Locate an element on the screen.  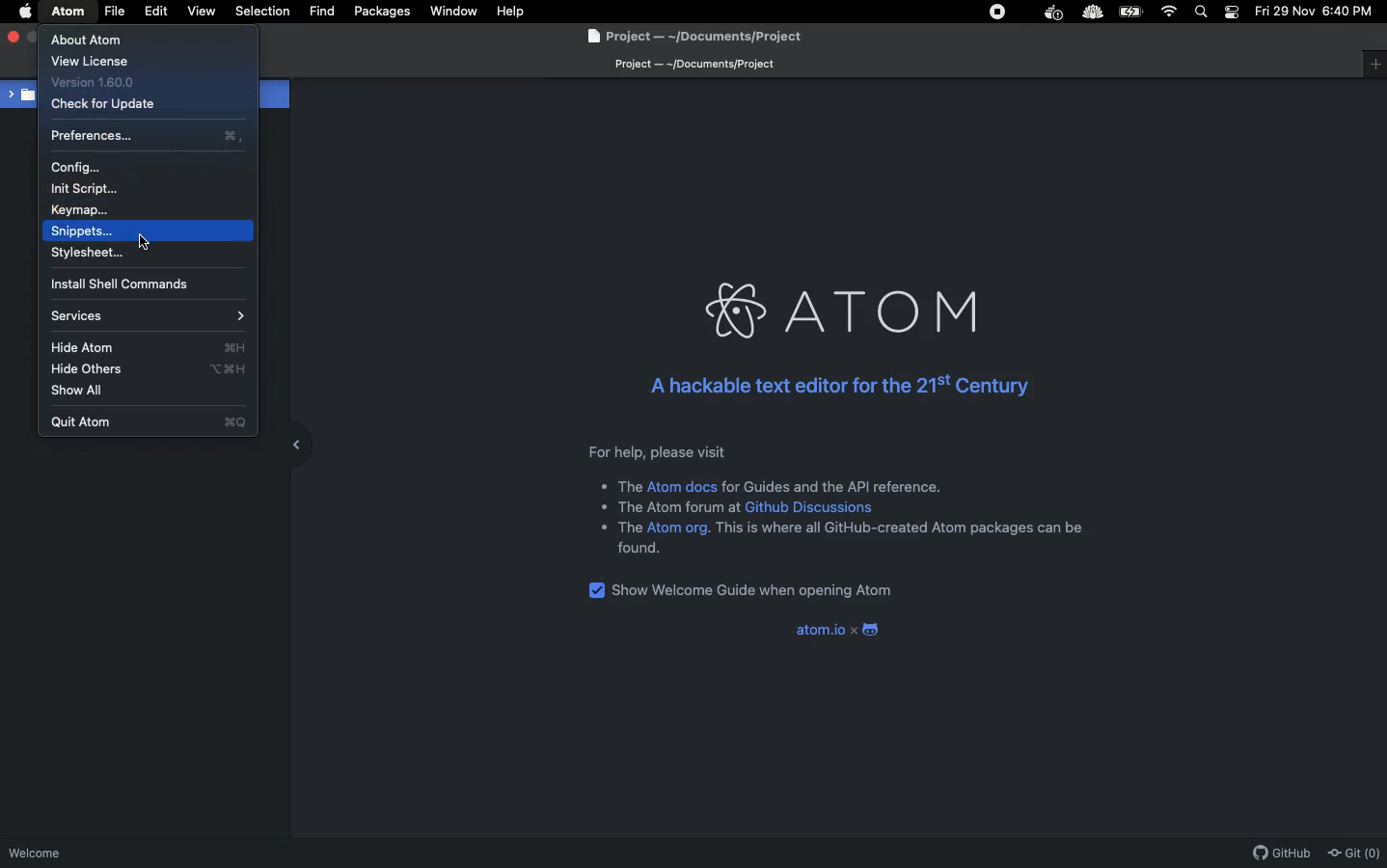
 is located at coordinates (628, 528).